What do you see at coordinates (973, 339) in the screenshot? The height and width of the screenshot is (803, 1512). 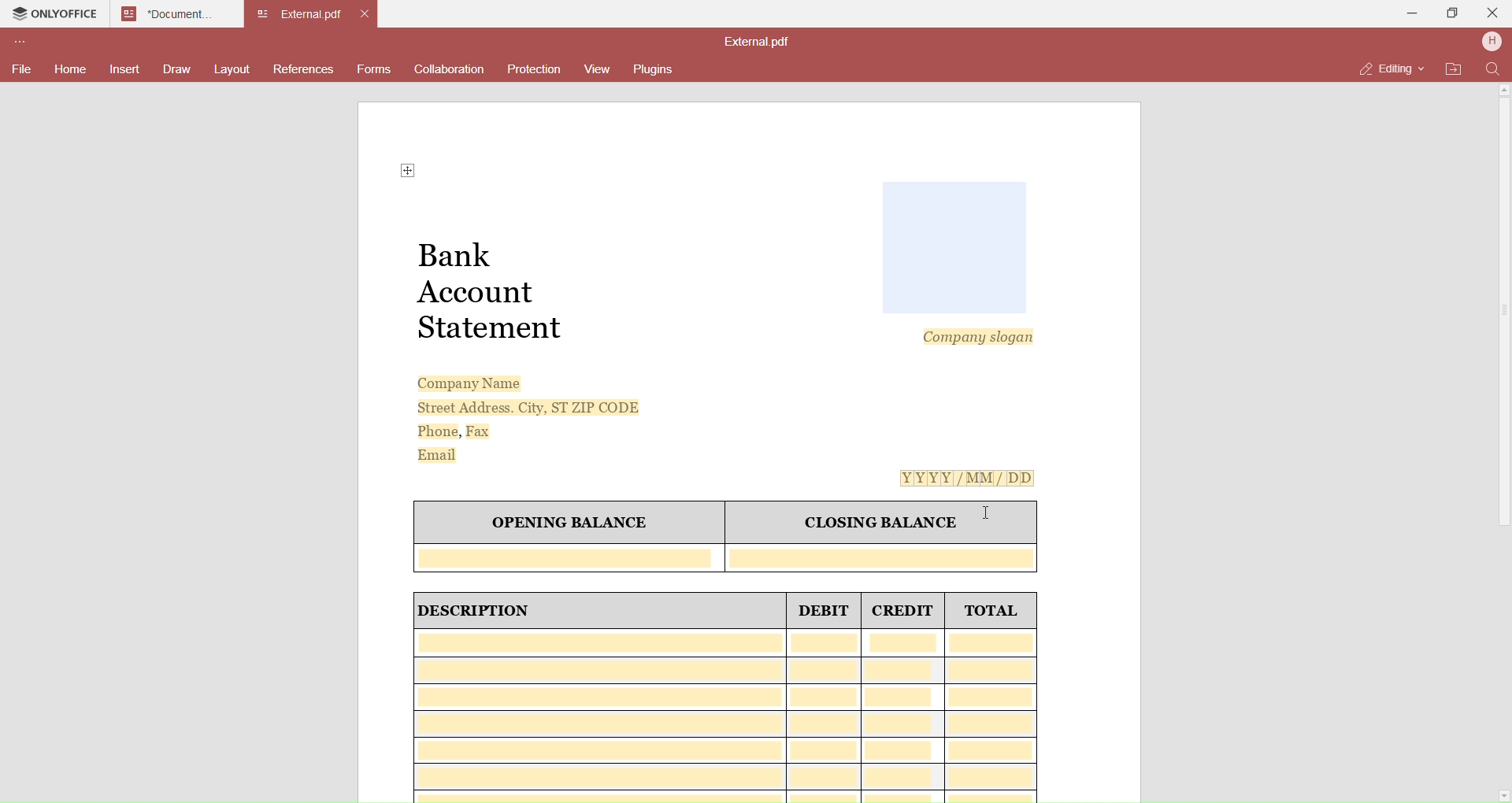 I see `Company slogan` at bounding box center [973, 339].